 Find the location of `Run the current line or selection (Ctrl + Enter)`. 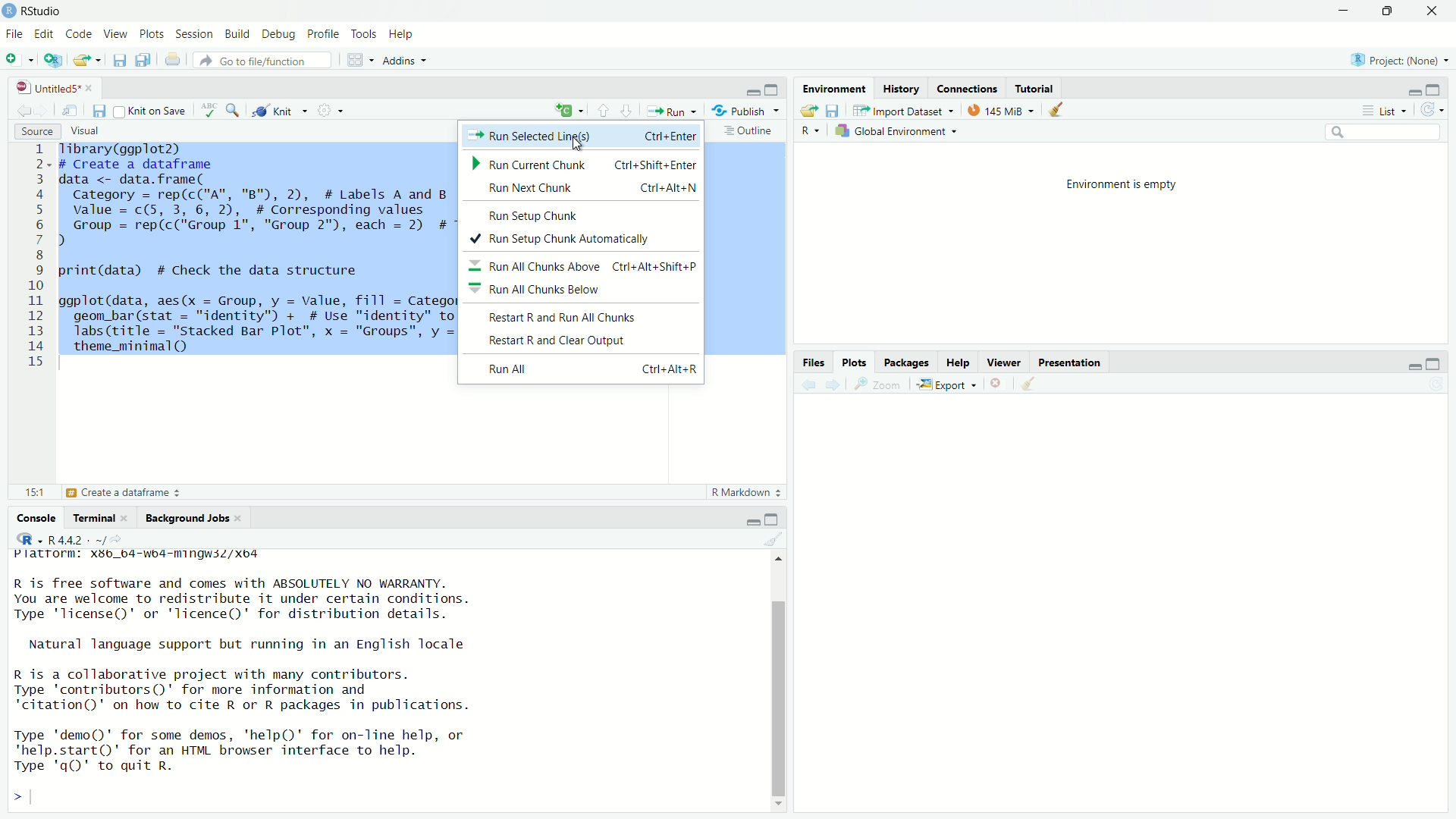

Run the current line or selection (Ctrl + Enter) is located at coordinates (674, 109).